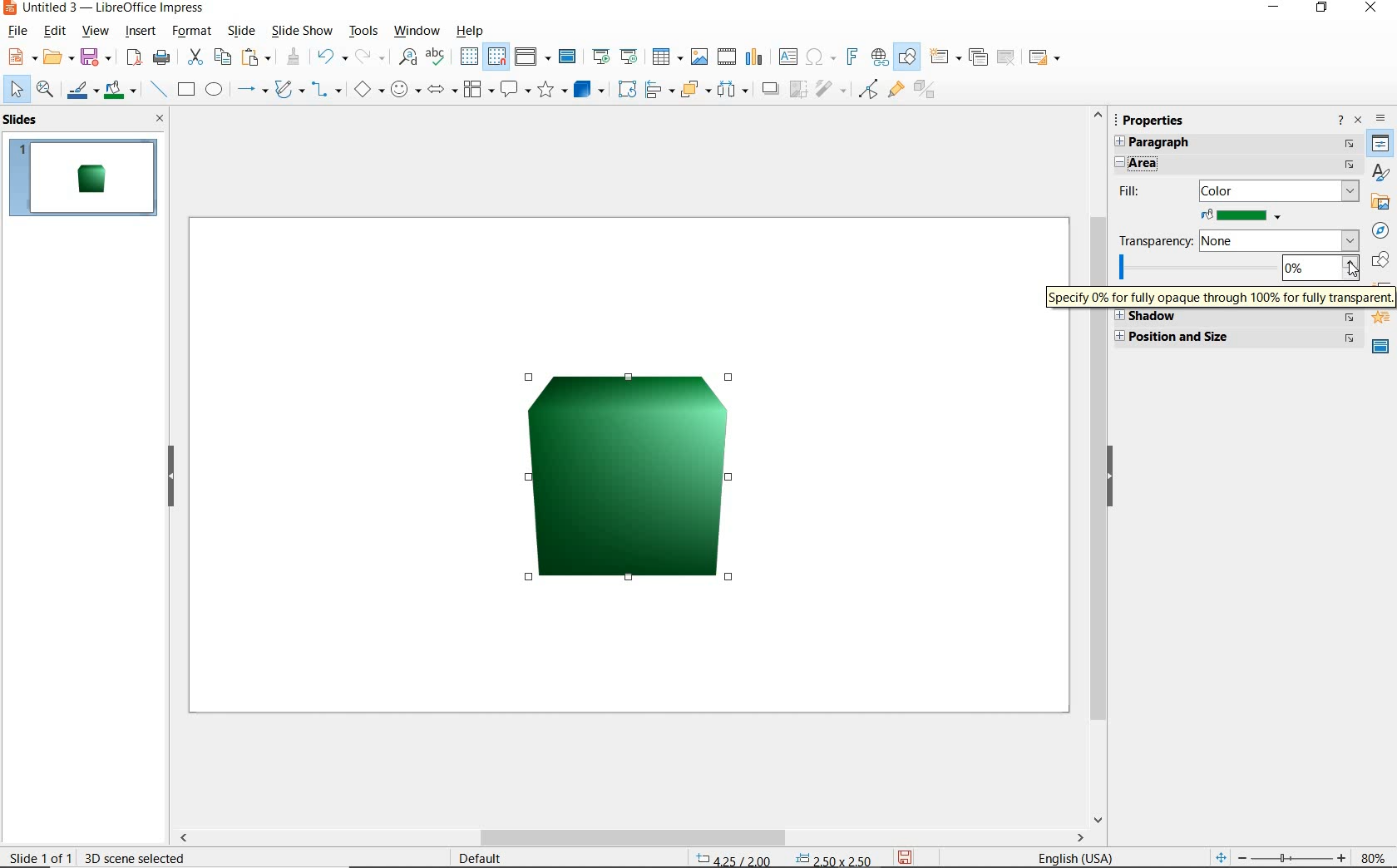 Image resolution: width=1397 pixels, height=868 pixels. I want to click on edit, so click(55, 31).